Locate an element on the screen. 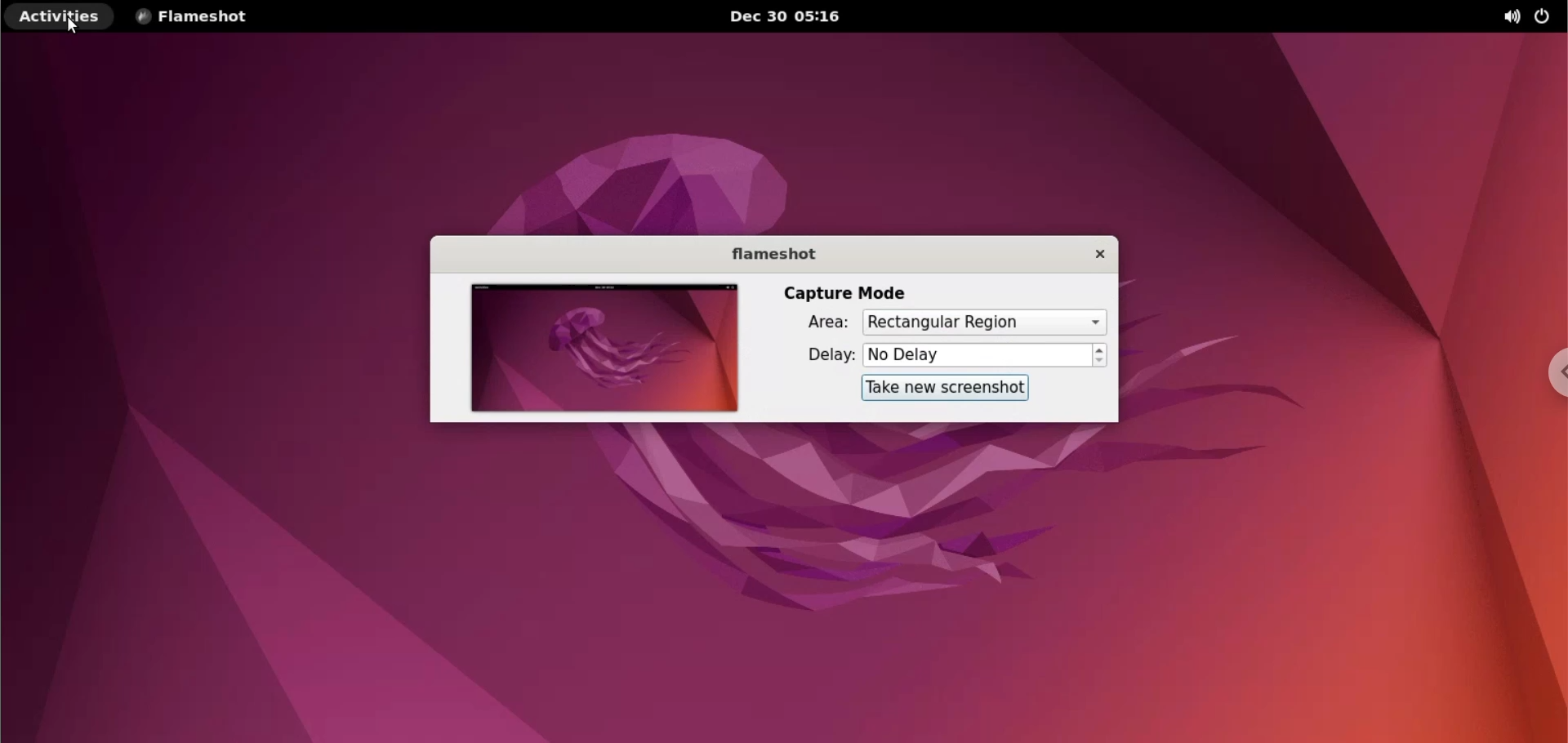 The width and height of the screenshot is (1568, 743). delay options is located at coordinates (978, 356).